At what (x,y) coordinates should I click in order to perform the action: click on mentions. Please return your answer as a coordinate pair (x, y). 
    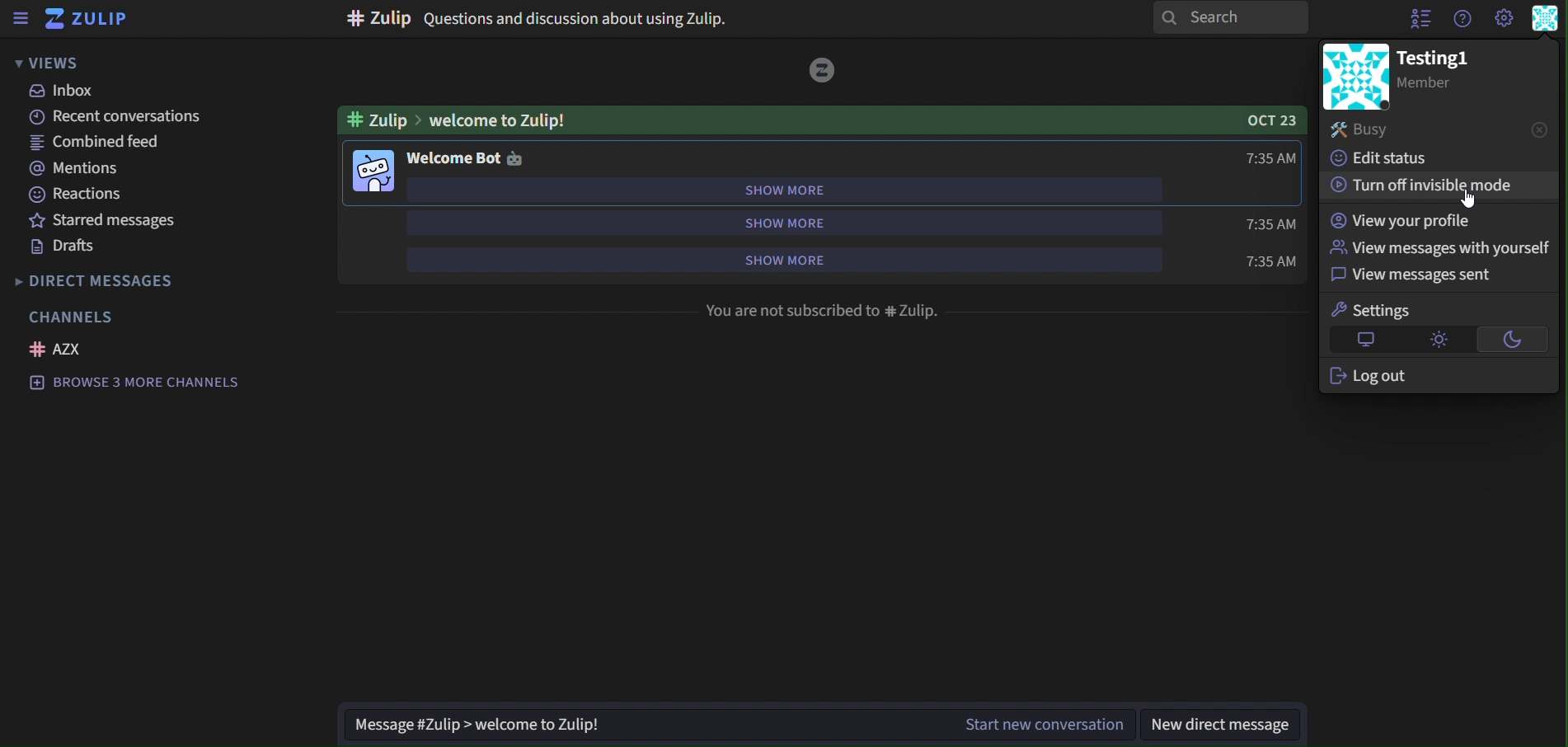
    Looking at the image, I should click on (76, 168).